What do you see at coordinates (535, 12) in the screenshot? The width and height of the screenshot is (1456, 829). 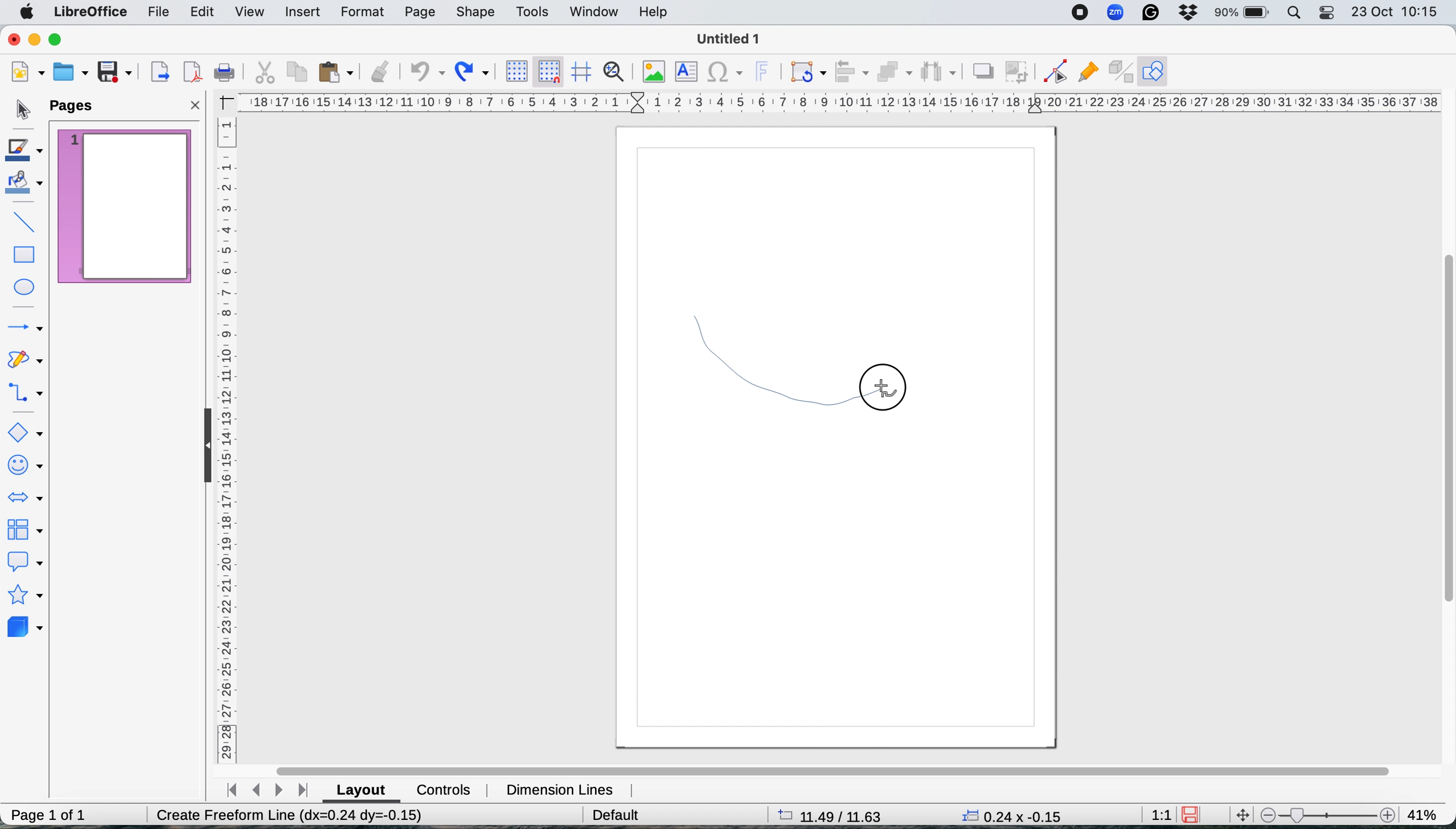 I see `tools` at bounding box center [535, 12].